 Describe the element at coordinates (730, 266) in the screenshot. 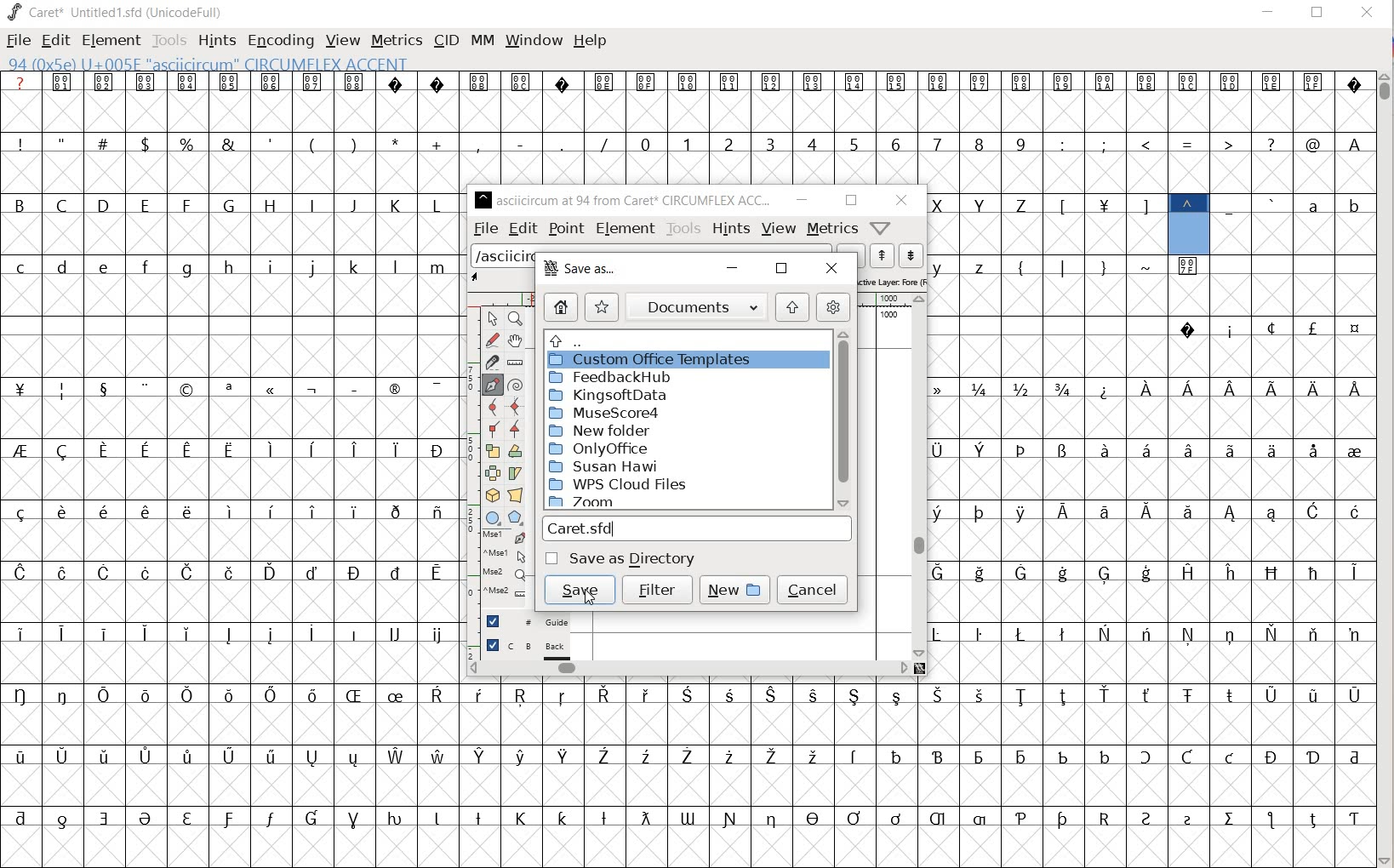

I see `minimize` at that location.